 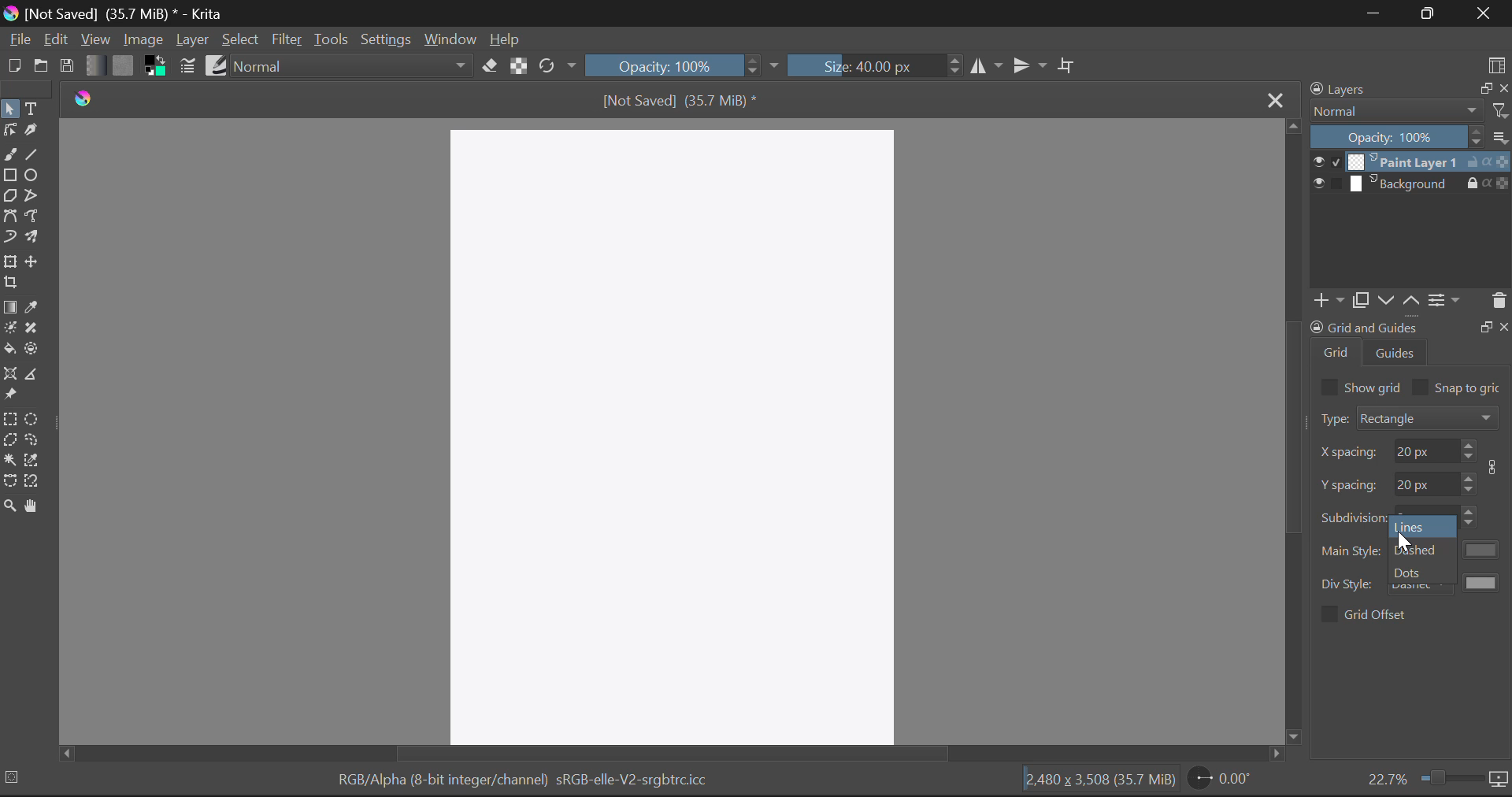 I want to click on checkbox, so click(x=1421, y=387).